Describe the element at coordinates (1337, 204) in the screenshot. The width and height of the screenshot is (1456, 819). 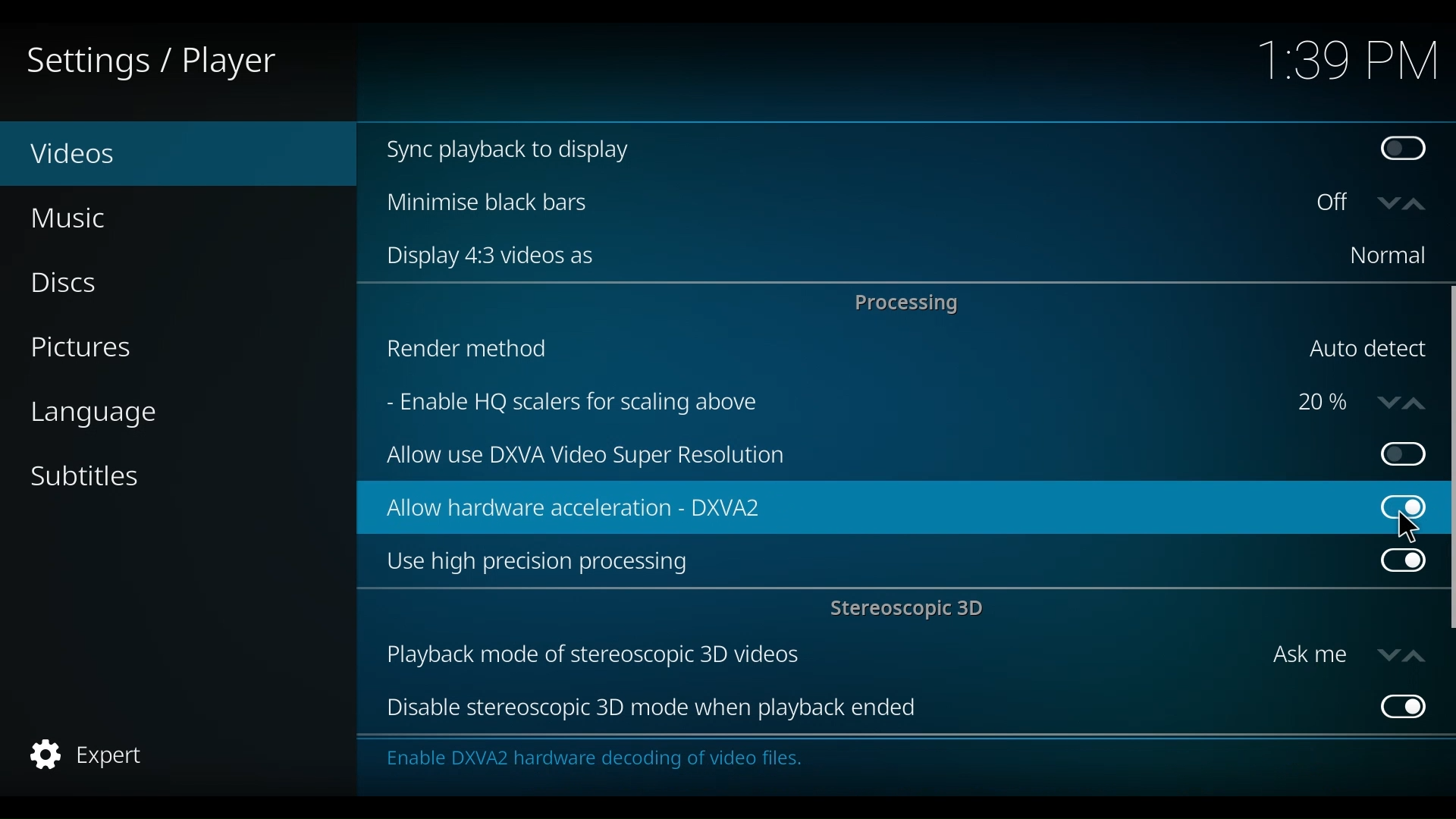
I see `Toggle on or off` at that location.